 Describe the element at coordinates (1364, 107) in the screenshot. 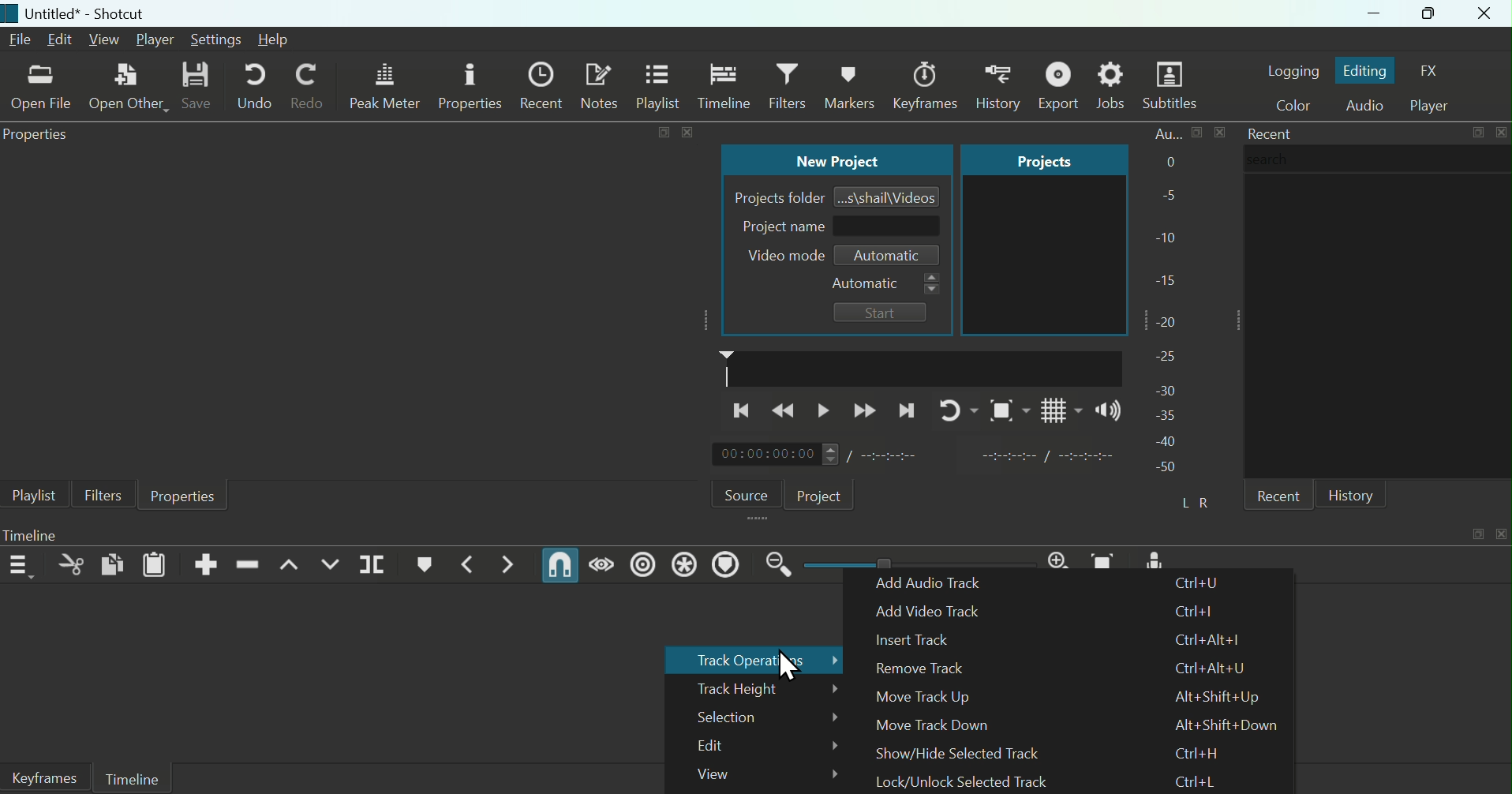

I see `Audio` at that location.